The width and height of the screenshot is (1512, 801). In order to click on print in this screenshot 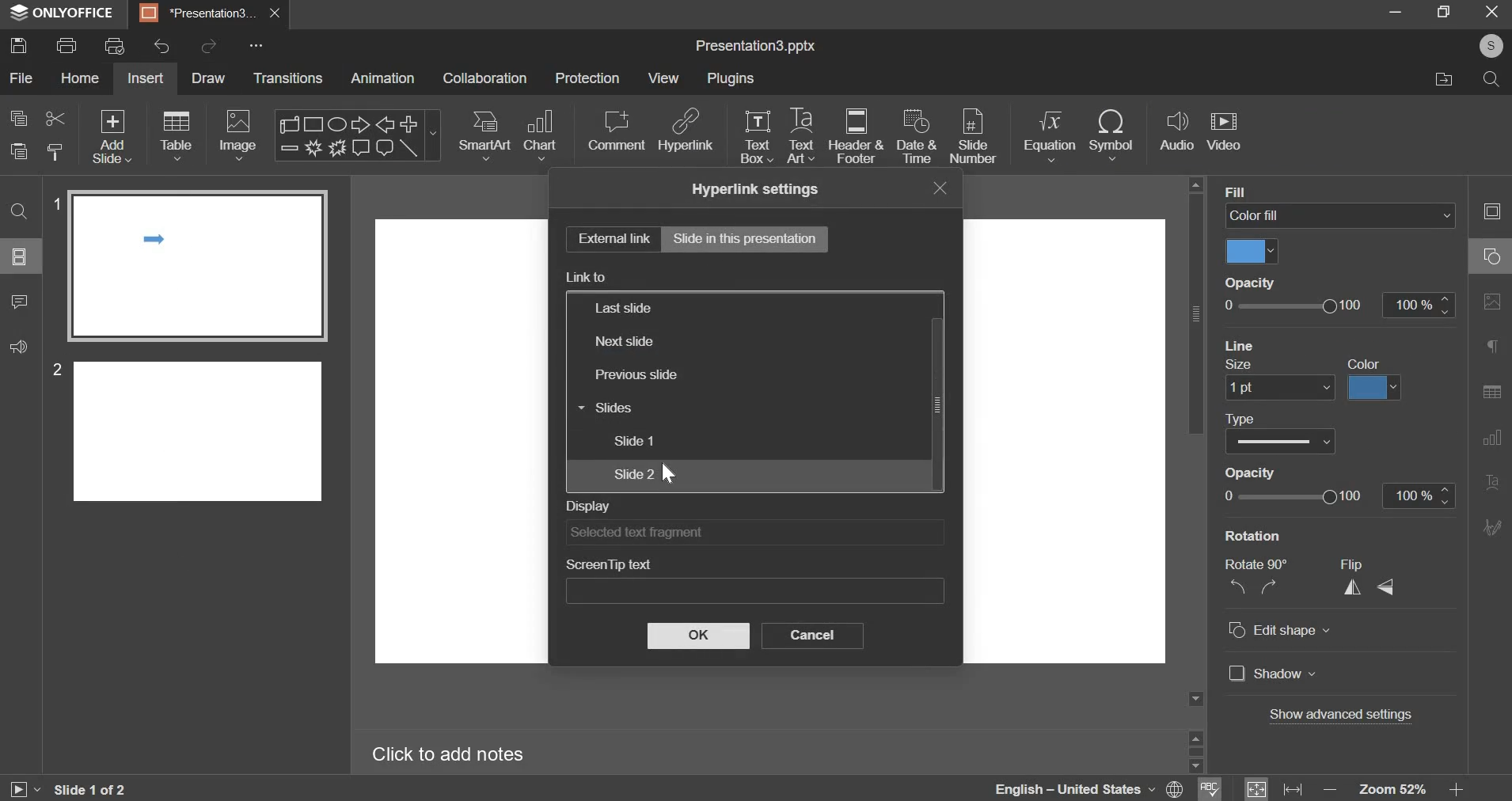, I will do `click(66, 45)`.